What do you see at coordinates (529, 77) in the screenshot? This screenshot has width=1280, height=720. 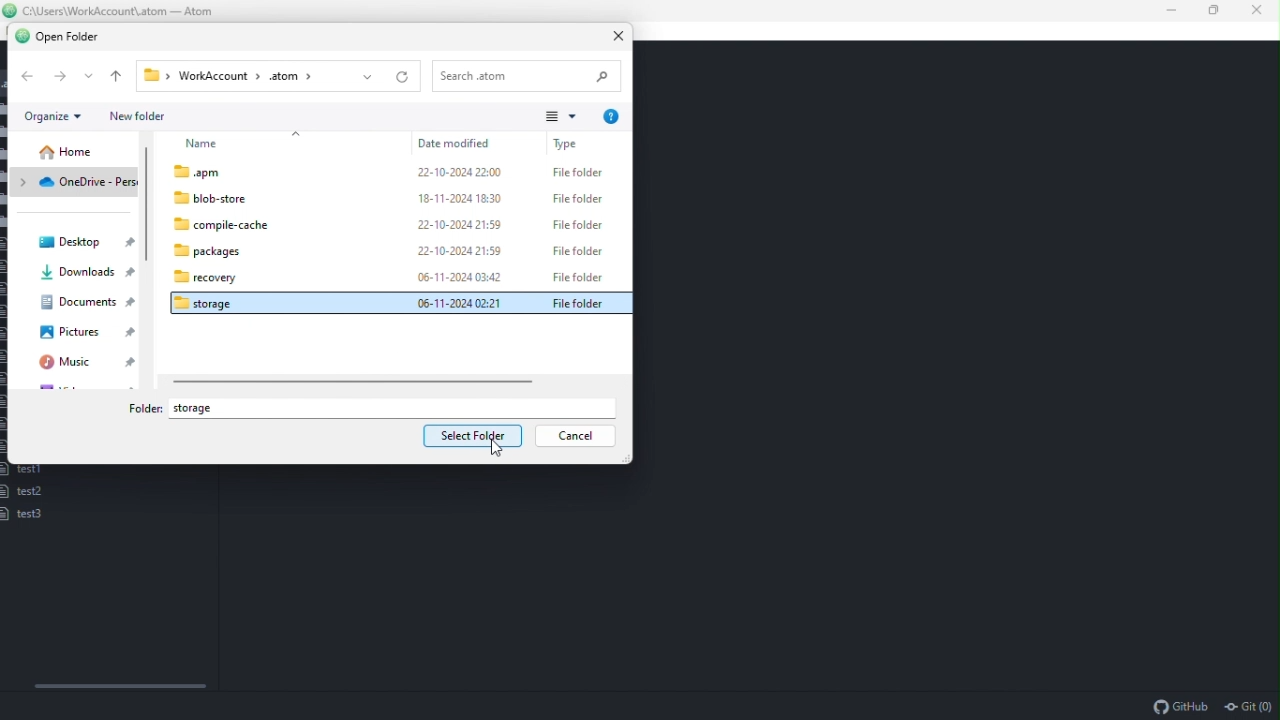 I see `Search` at bounding box center [529, 77].